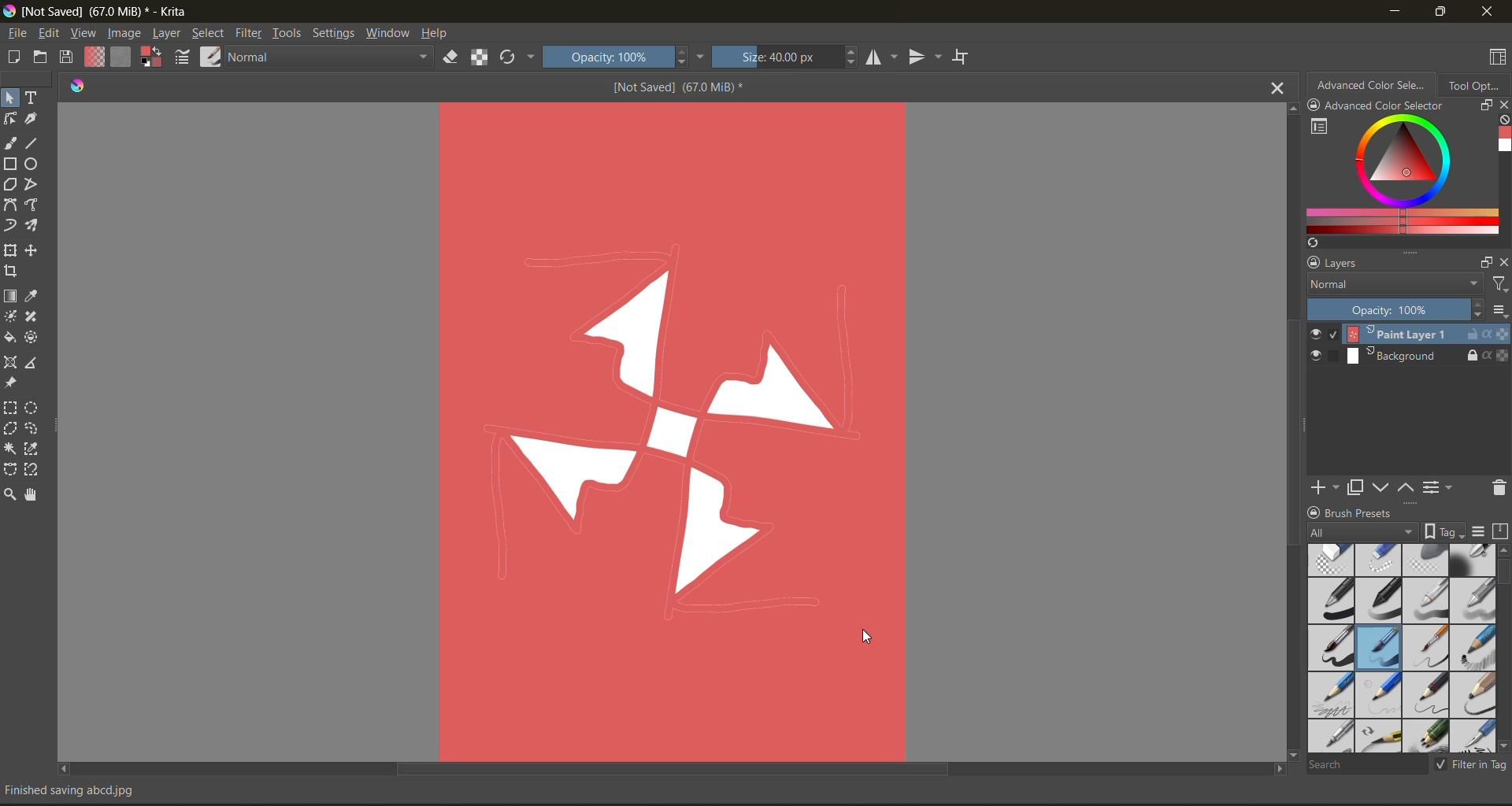  Describe the element at coordinates (873, 639) in the screenshot. I see `cursor` at that location.